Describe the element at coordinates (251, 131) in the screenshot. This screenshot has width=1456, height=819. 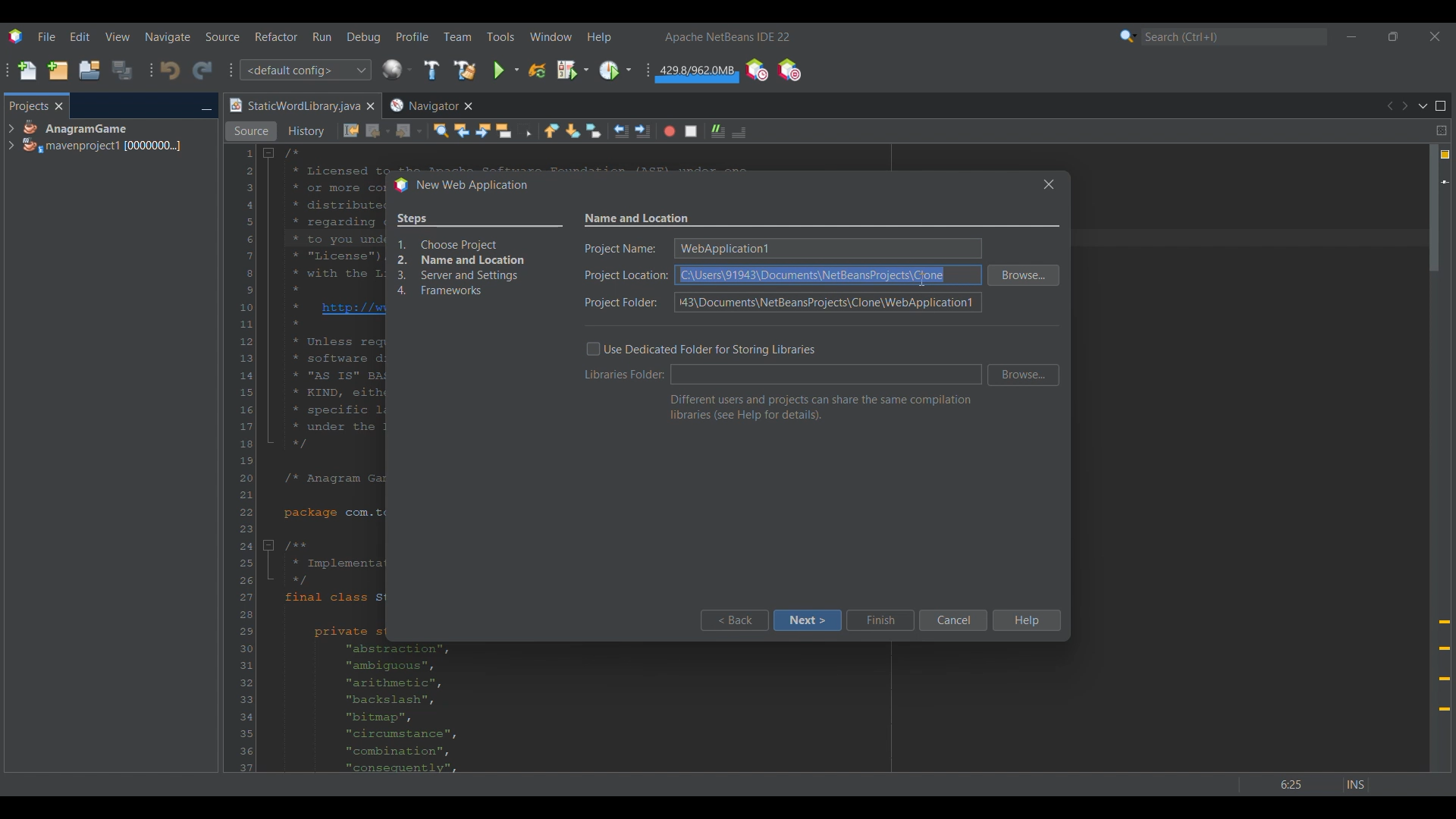
I see `Source view` at that location.